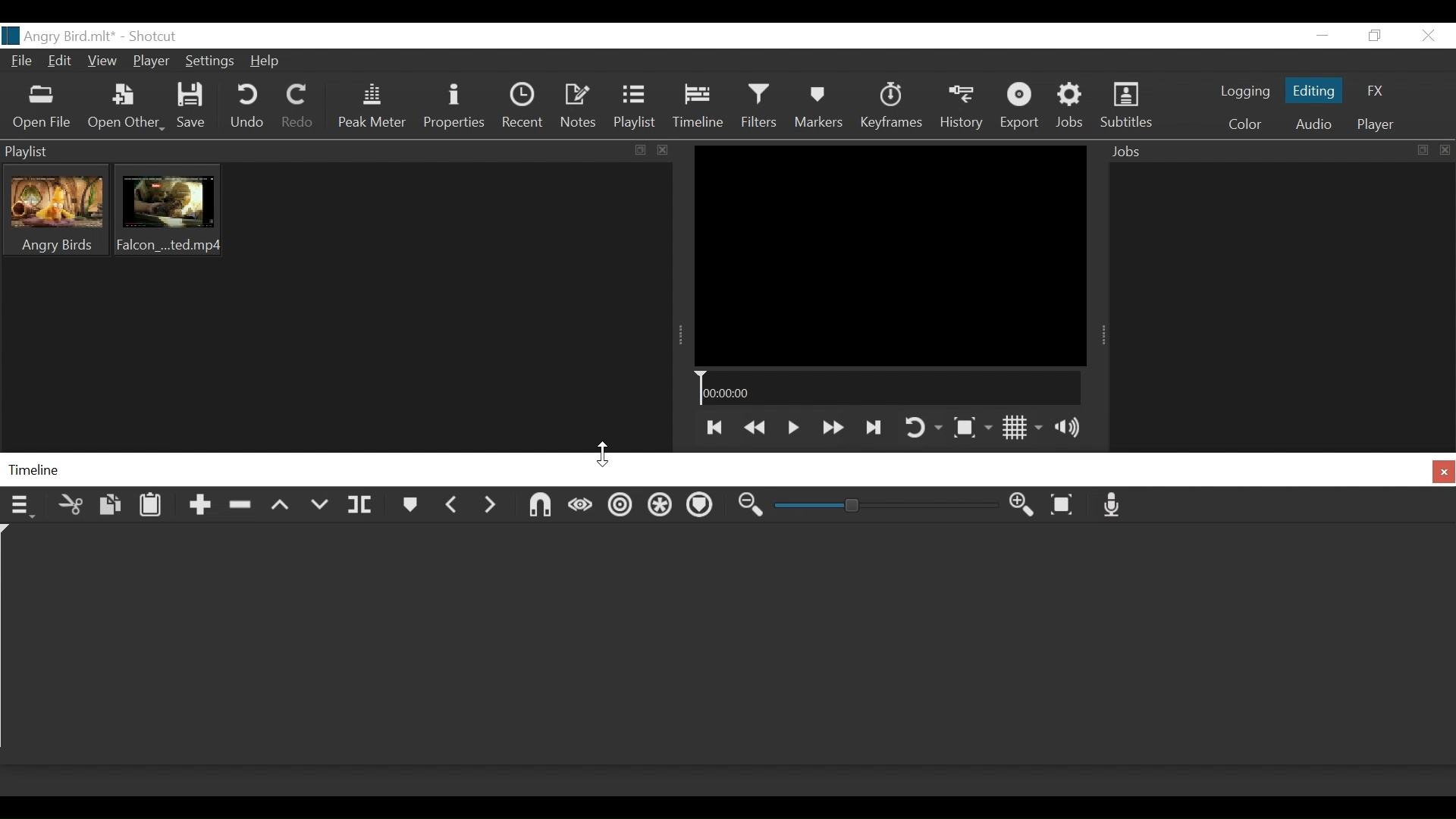  Describe the element at coordinates (1373, 125) in the screenshot. I see `Player` at that location.